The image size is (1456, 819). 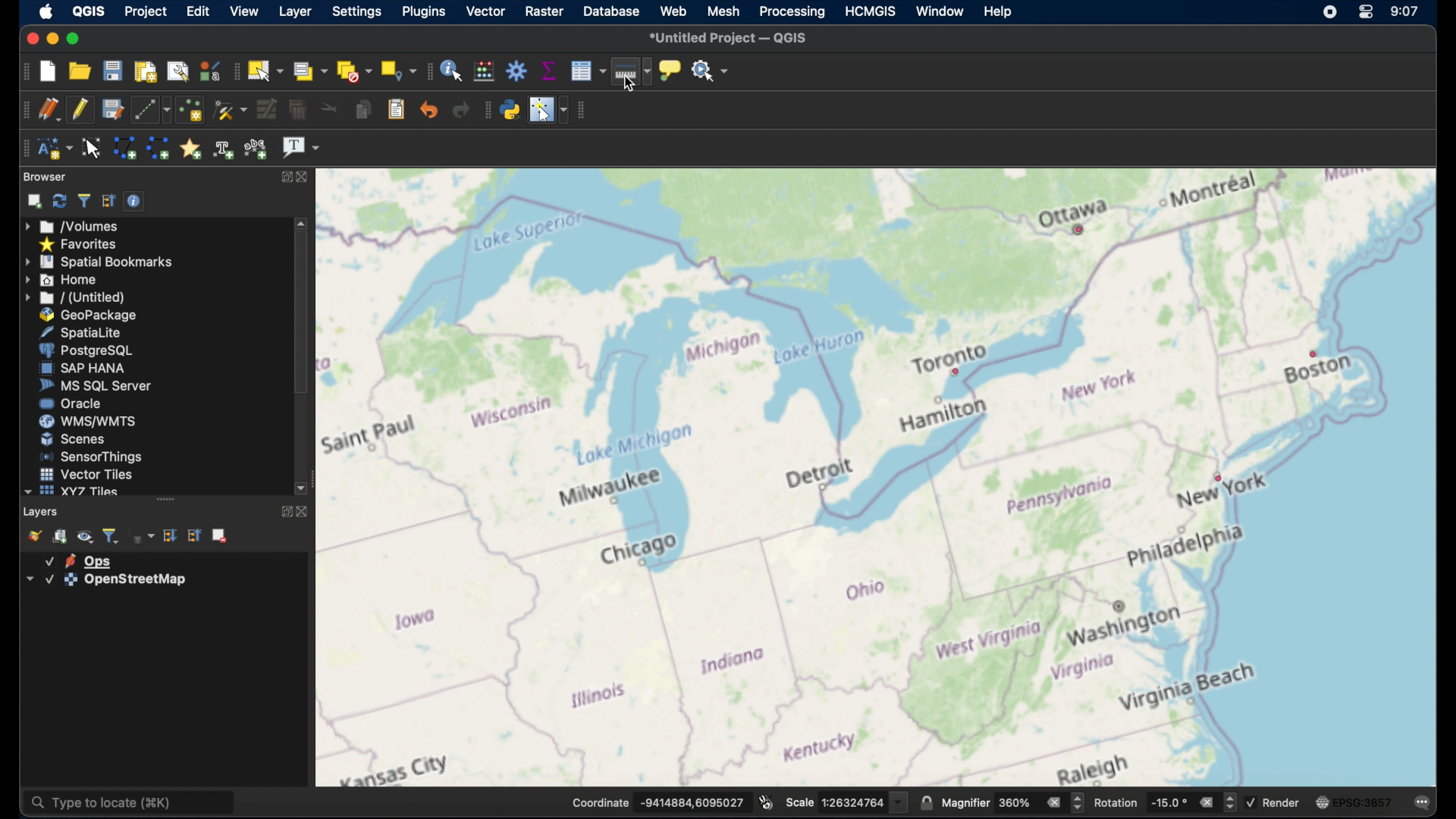 I want to click on no action selected, so click(x=711, y=69).